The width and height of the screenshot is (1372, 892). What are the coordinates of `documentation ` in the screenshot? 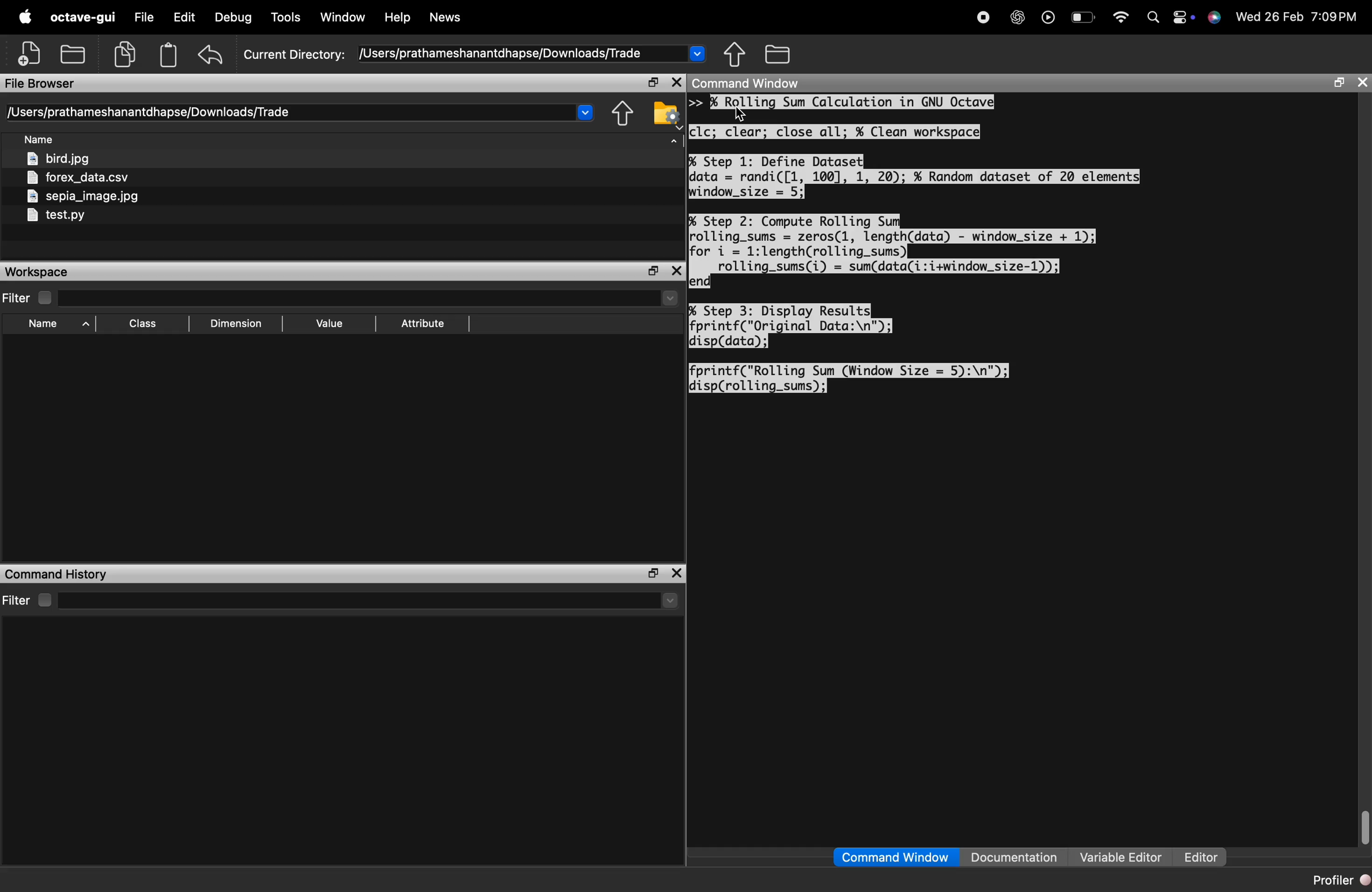 It's located at (1015, 856).